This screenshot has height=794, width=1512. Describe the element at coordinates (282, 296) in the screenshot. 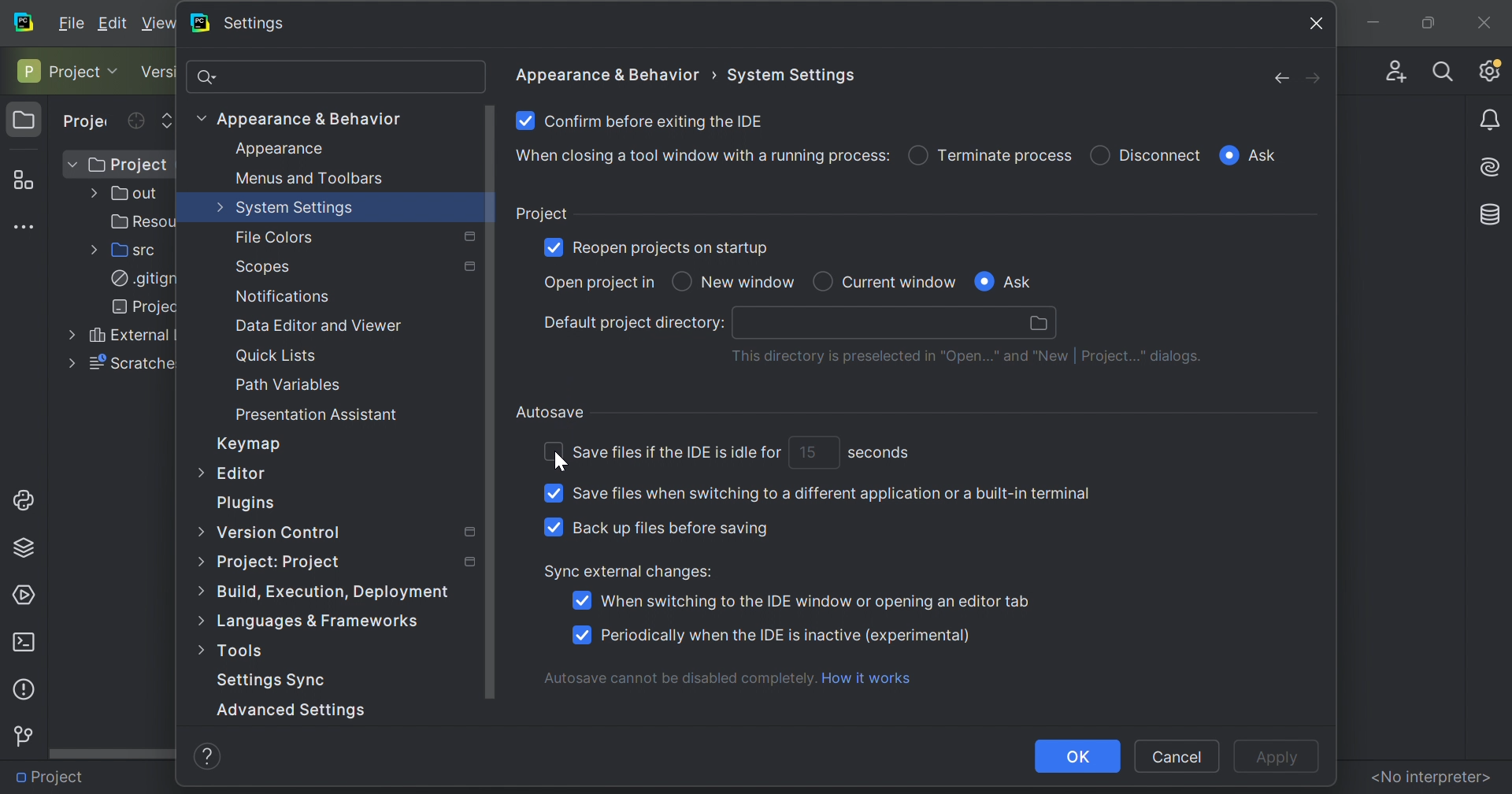

I see `Notifications` at that location.